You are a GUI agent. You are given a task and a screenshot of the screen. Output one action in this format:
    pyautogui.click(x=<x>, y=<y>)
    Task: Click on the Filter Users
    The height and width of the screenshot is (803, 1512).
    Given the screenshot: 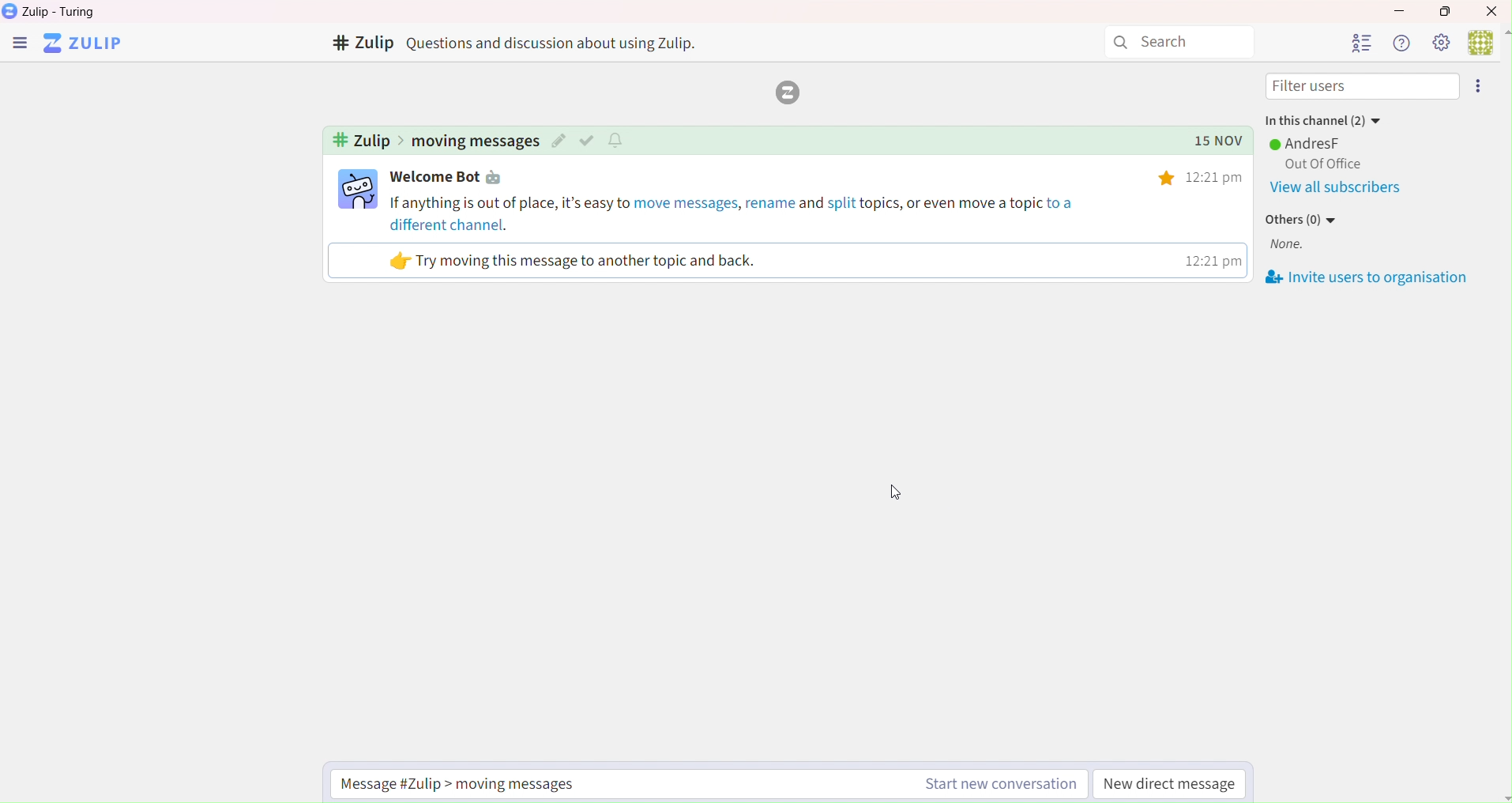 What is the action you would take?
    pyautogui.click(x=1363, y=87)
    